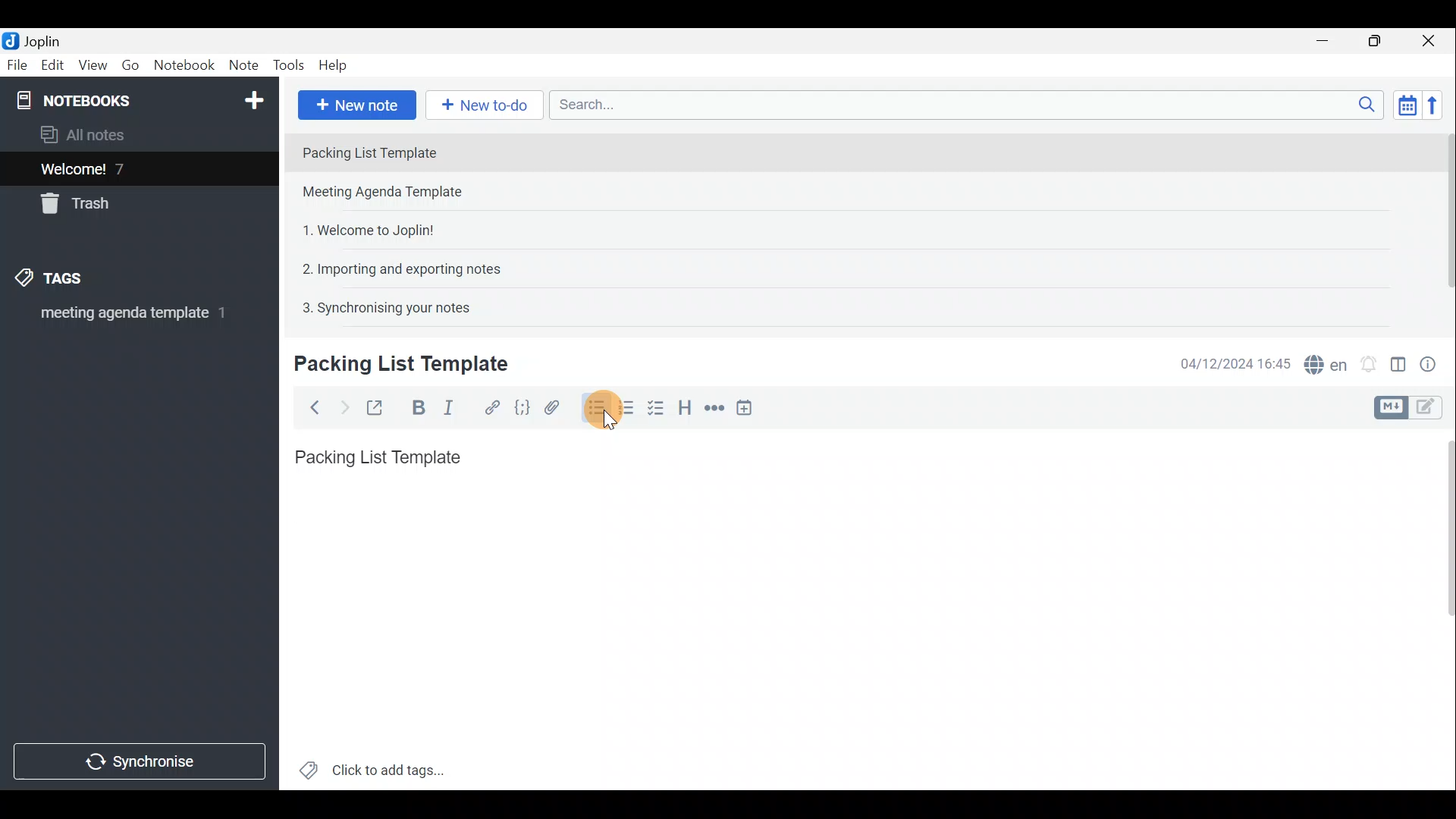 Image resolution: width=1456 pixels, height=819 pixels. Describe the element at coordinates (1380, 41) in the screenshot. I see `Maximise` at that location.